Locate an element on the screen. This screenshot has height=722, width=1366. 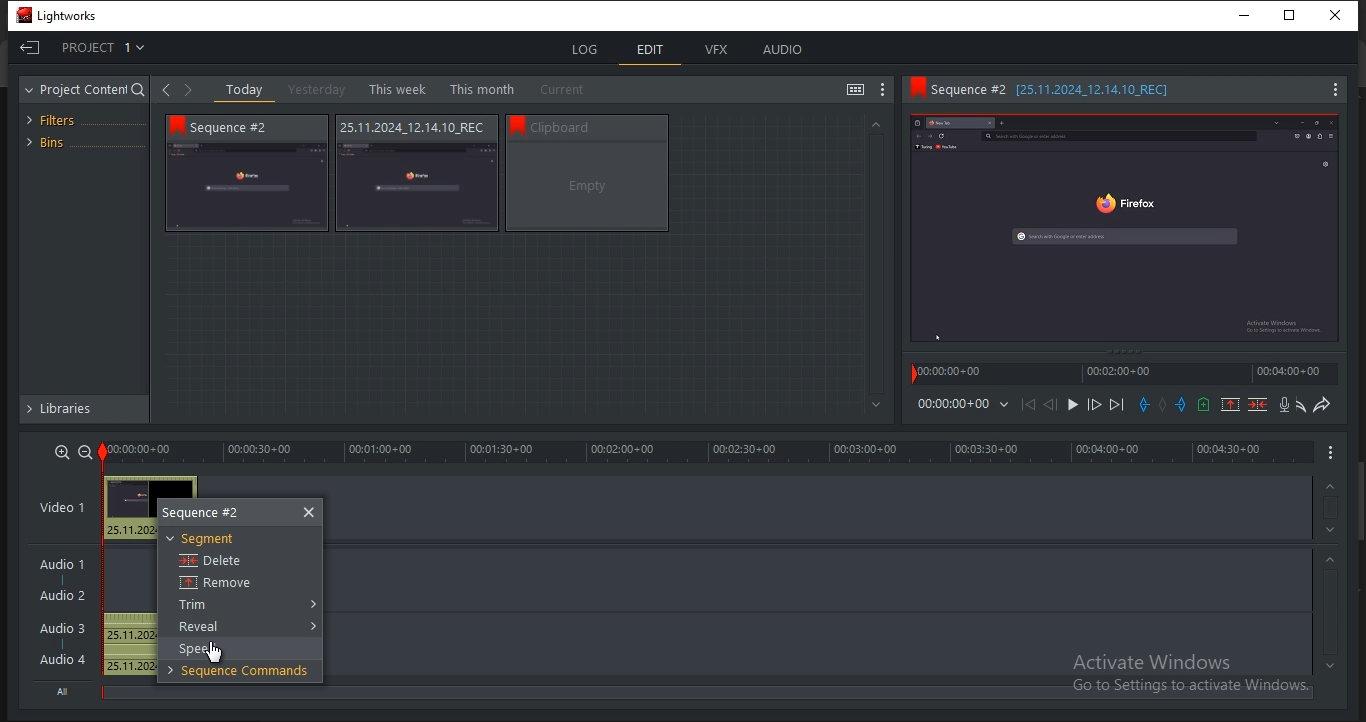
close is located at coordinates (309, 512).